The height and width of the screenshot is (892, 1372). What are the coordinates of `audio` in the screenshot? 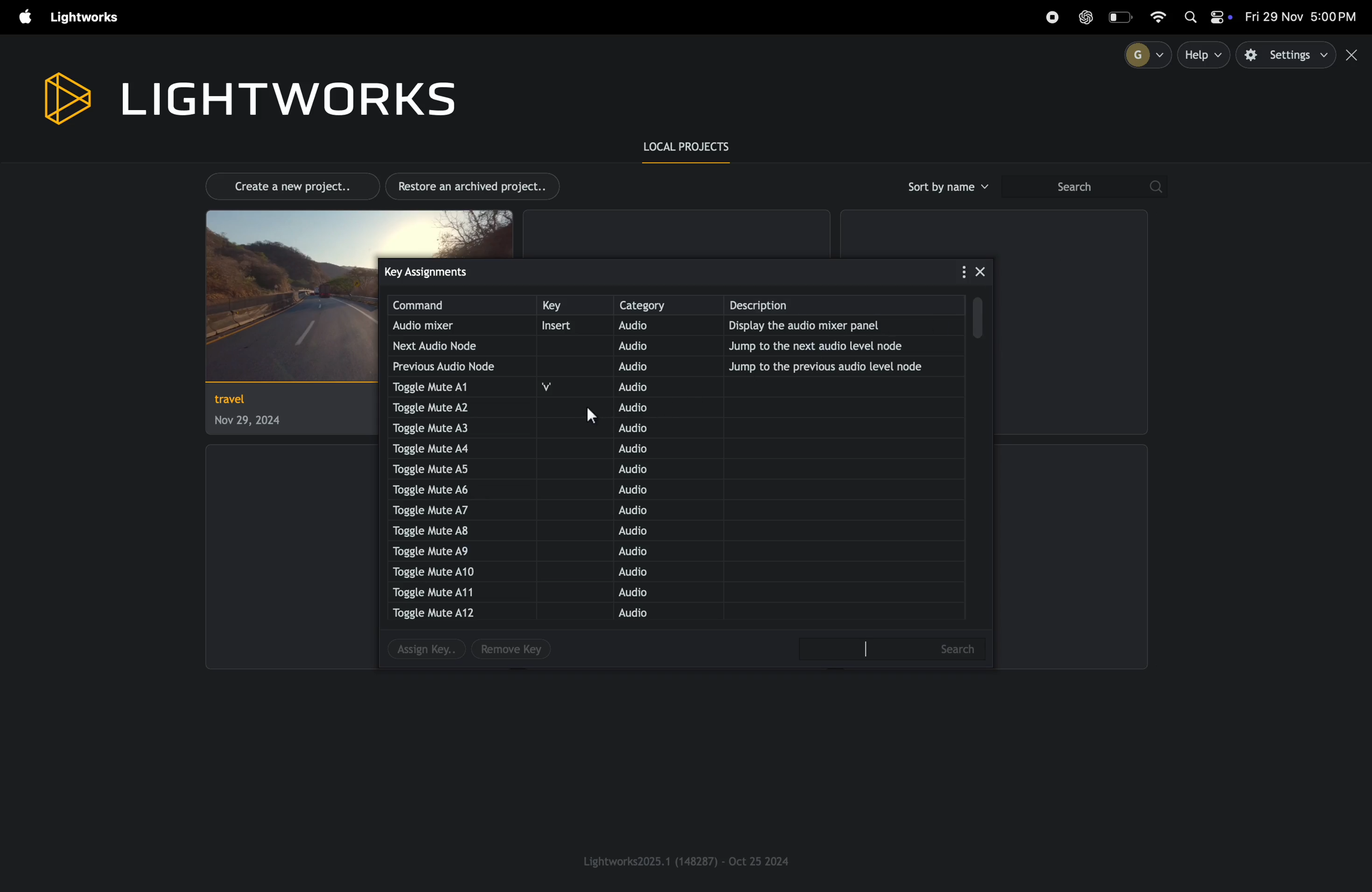 It's located at (636, 470).